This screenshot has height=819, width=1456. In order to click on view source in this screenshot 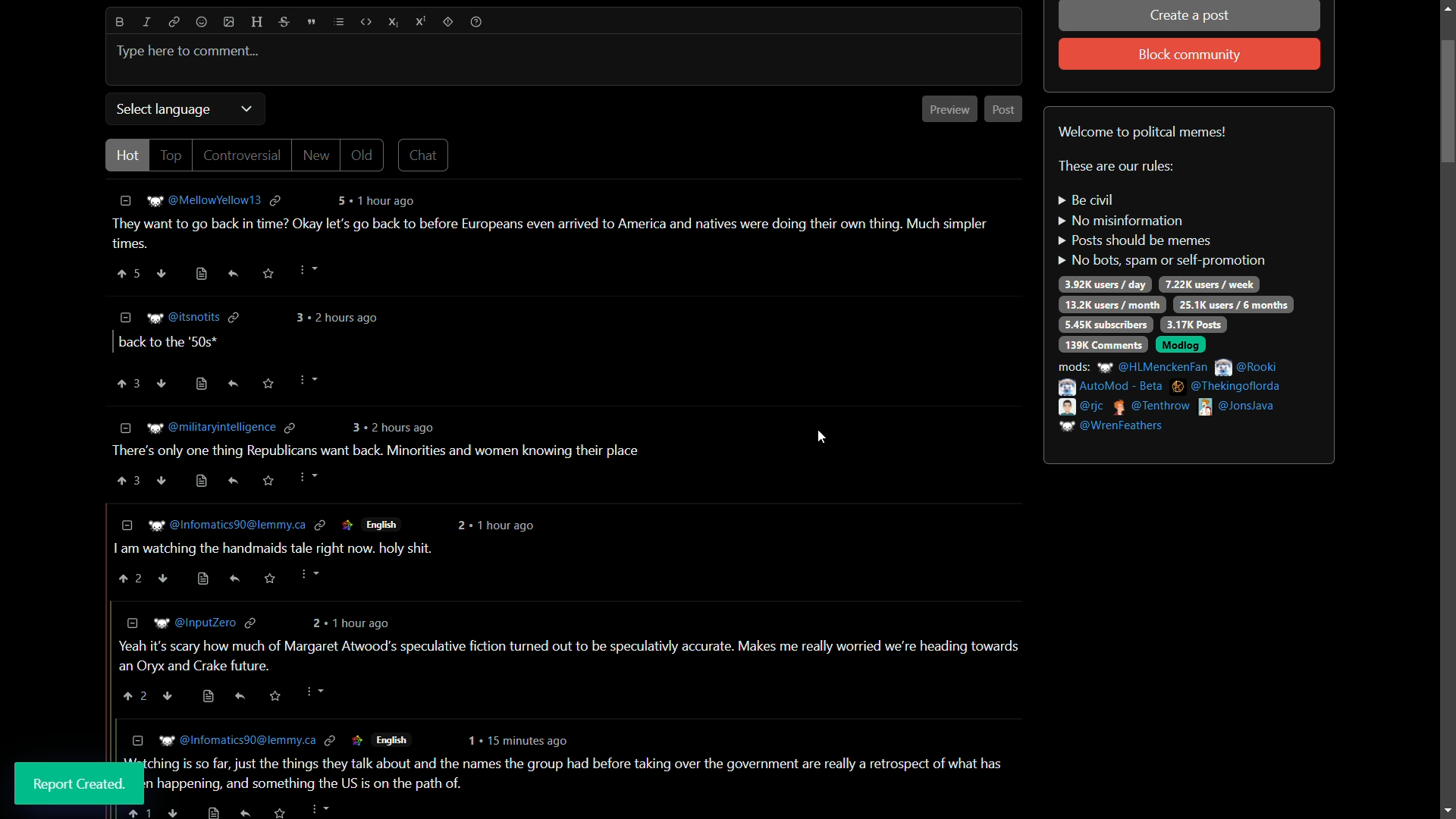, I will do `click(199, 384)`.